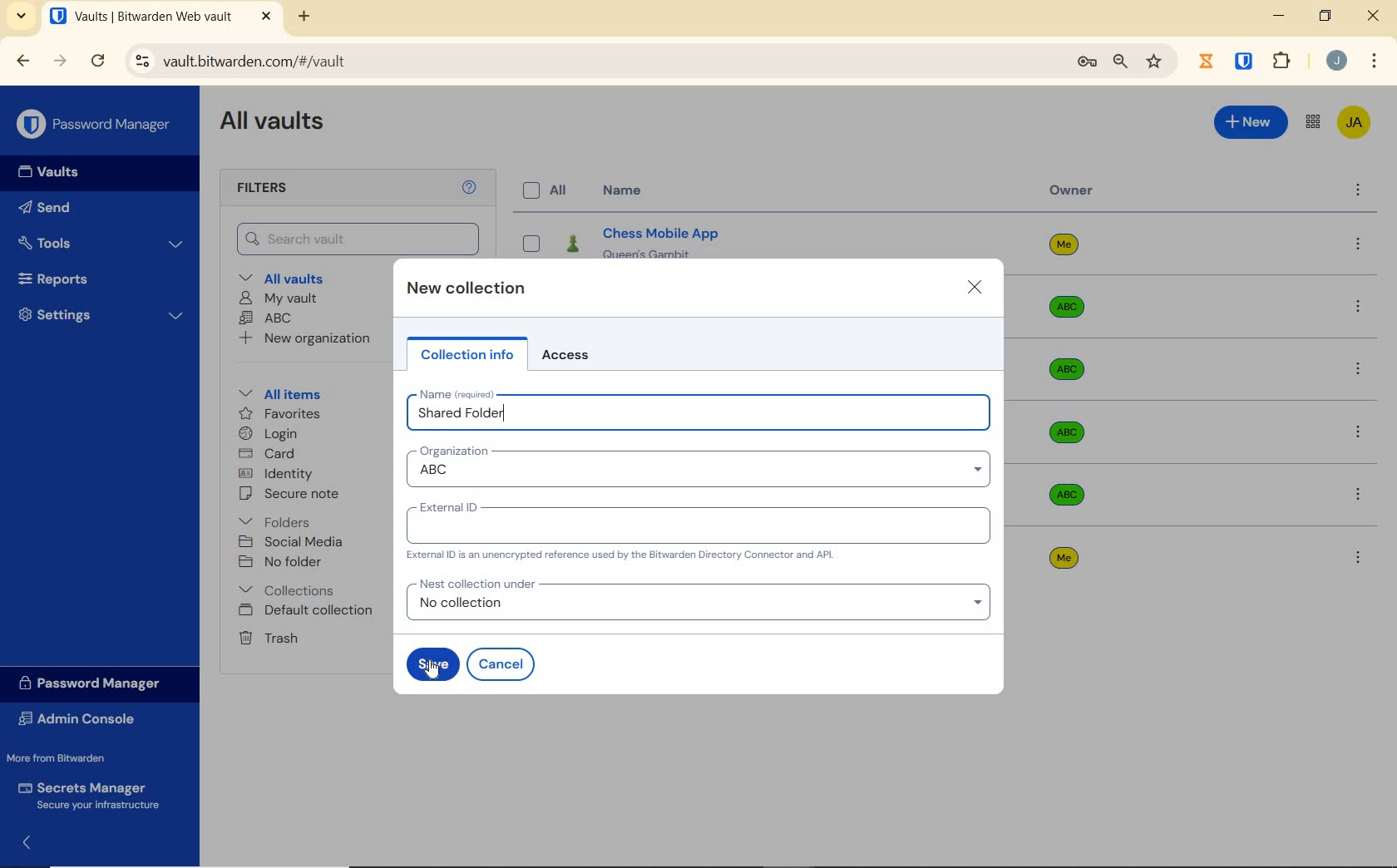  I want to click on Secrets Manager, so click(93, 796).